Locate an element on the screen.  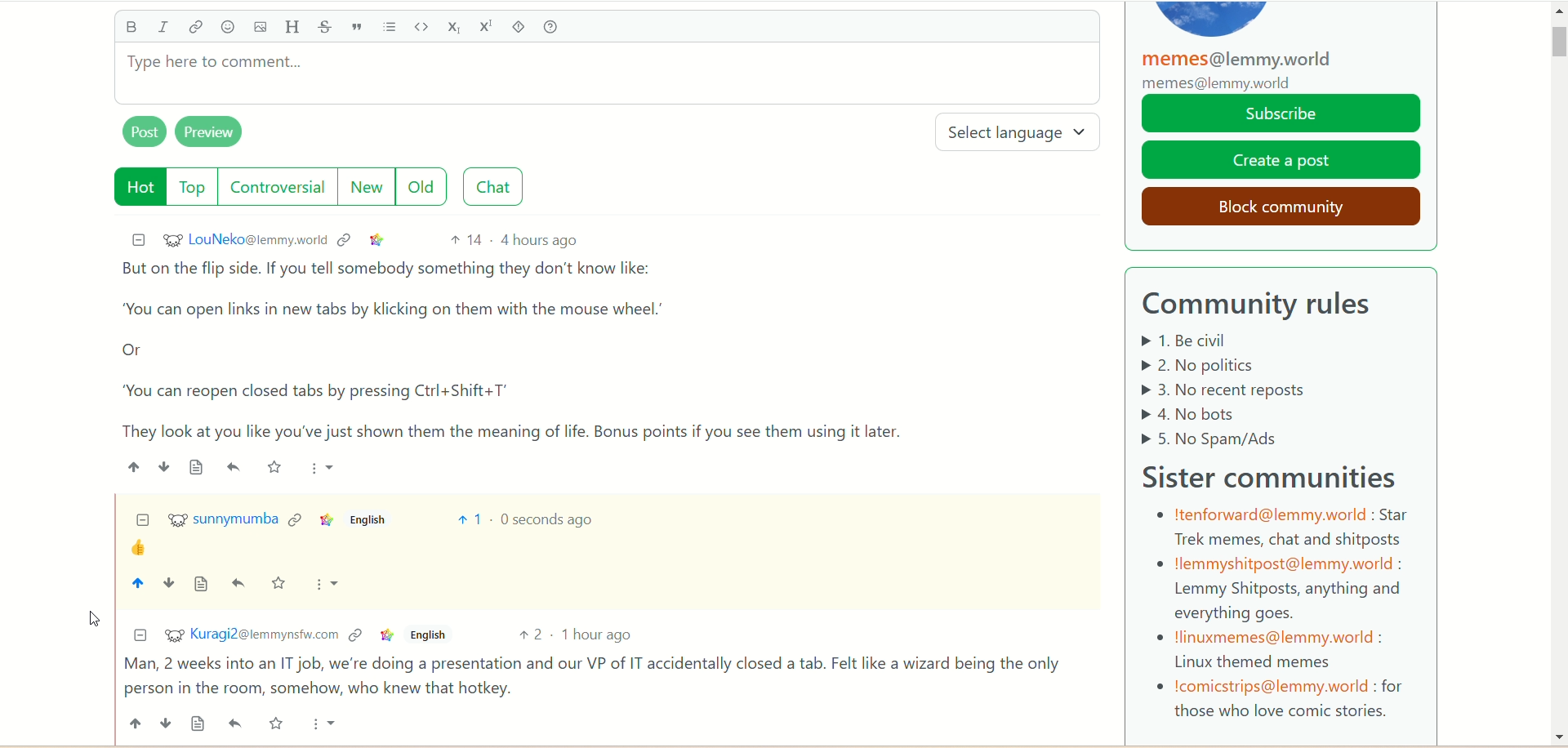
pointer is located at coordinates (91, 616).